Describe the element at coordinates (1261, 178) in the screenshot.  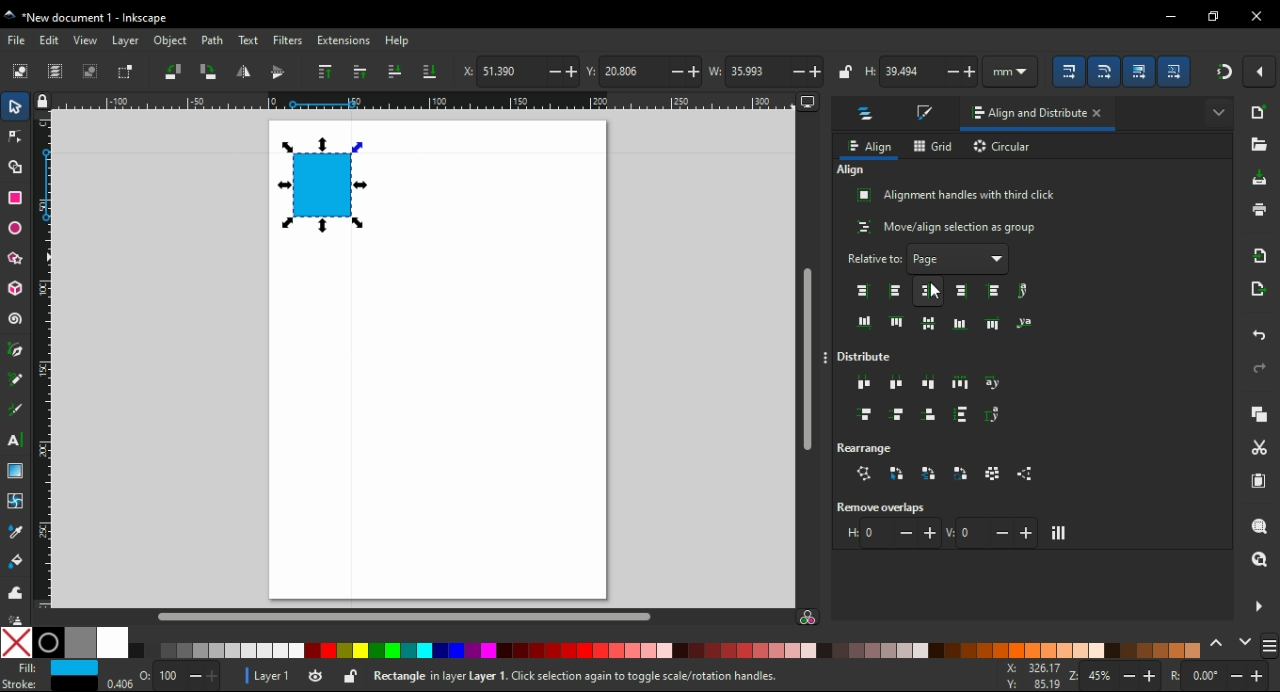
I see `save` at that location.